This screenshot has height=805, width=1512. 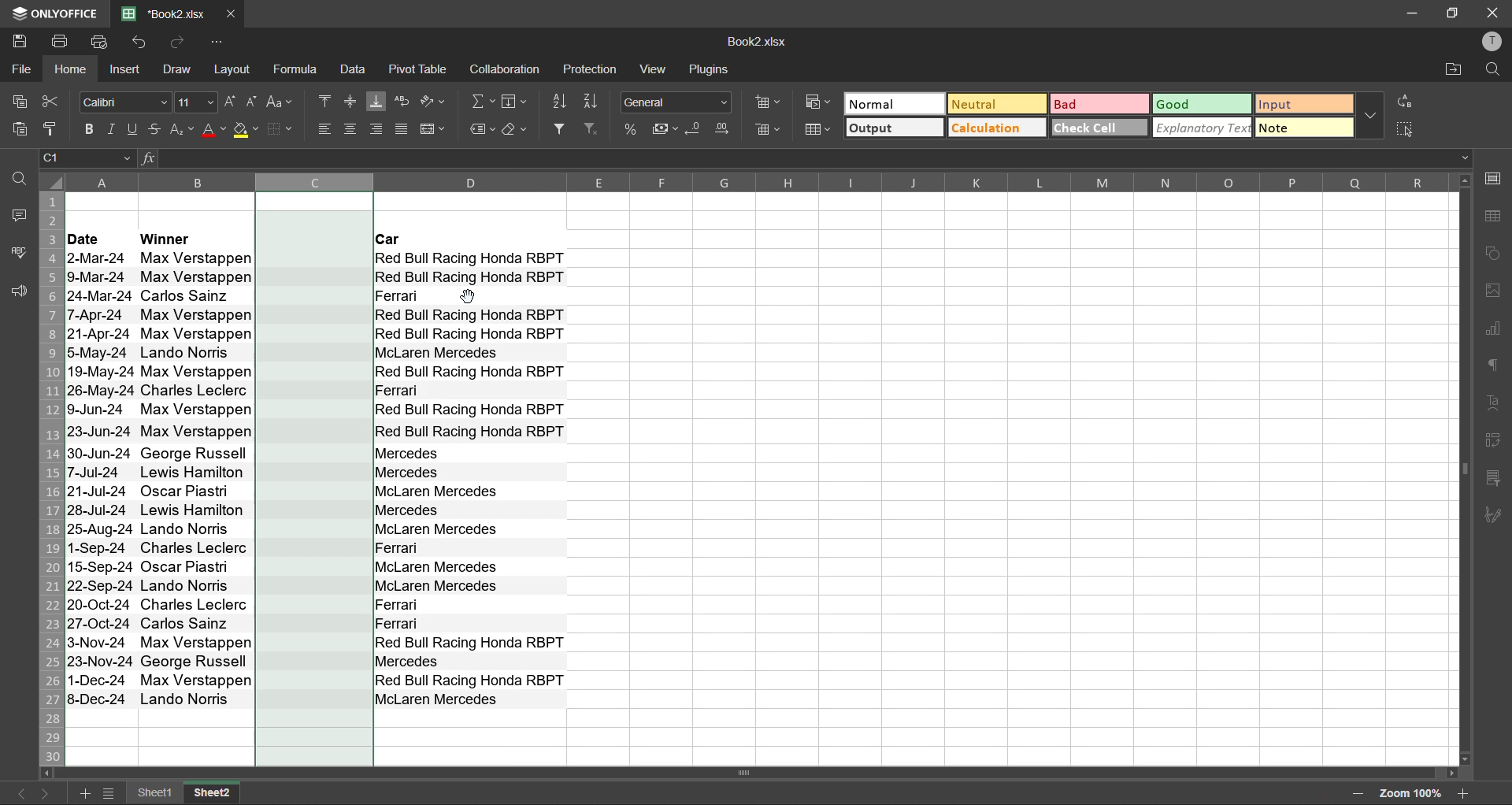 What do you see at coordinates (817, 132) in the screenshot?
I see `format as table` at bounding box center [817, 132].